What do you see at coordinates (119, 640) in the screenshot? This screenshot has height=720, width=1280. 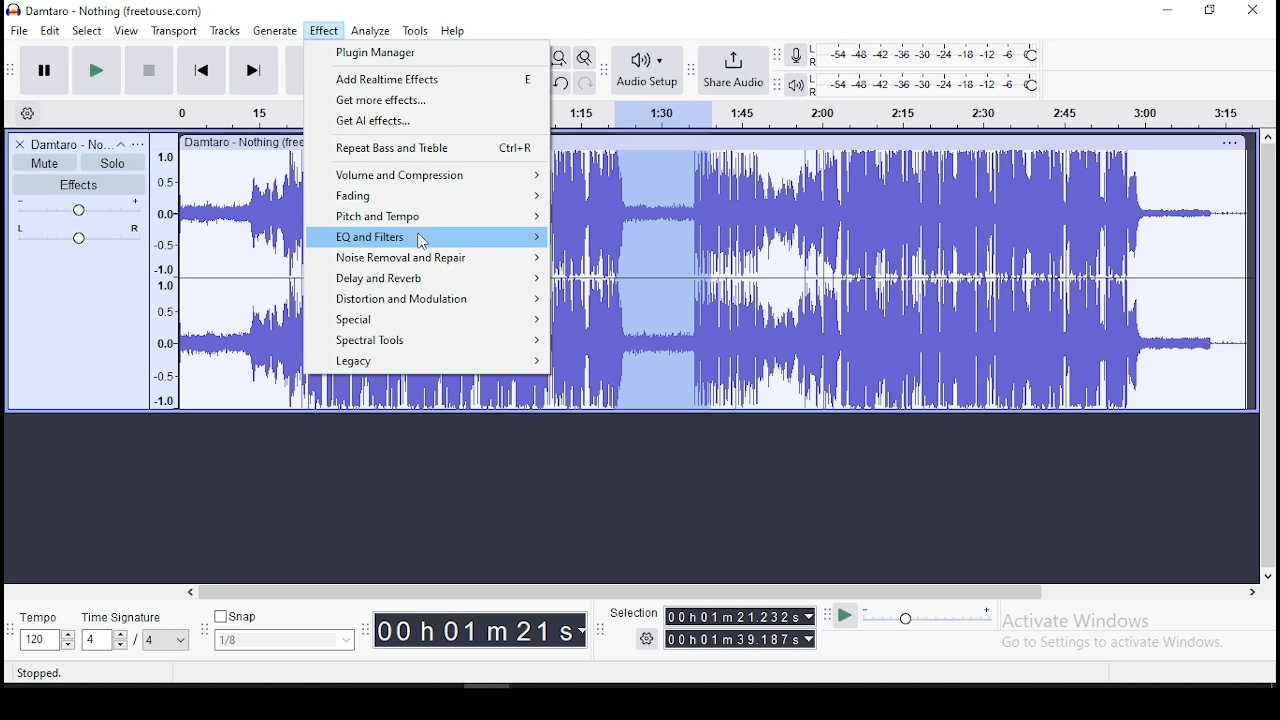 I see `drop down` at bounding box center [119, 640].